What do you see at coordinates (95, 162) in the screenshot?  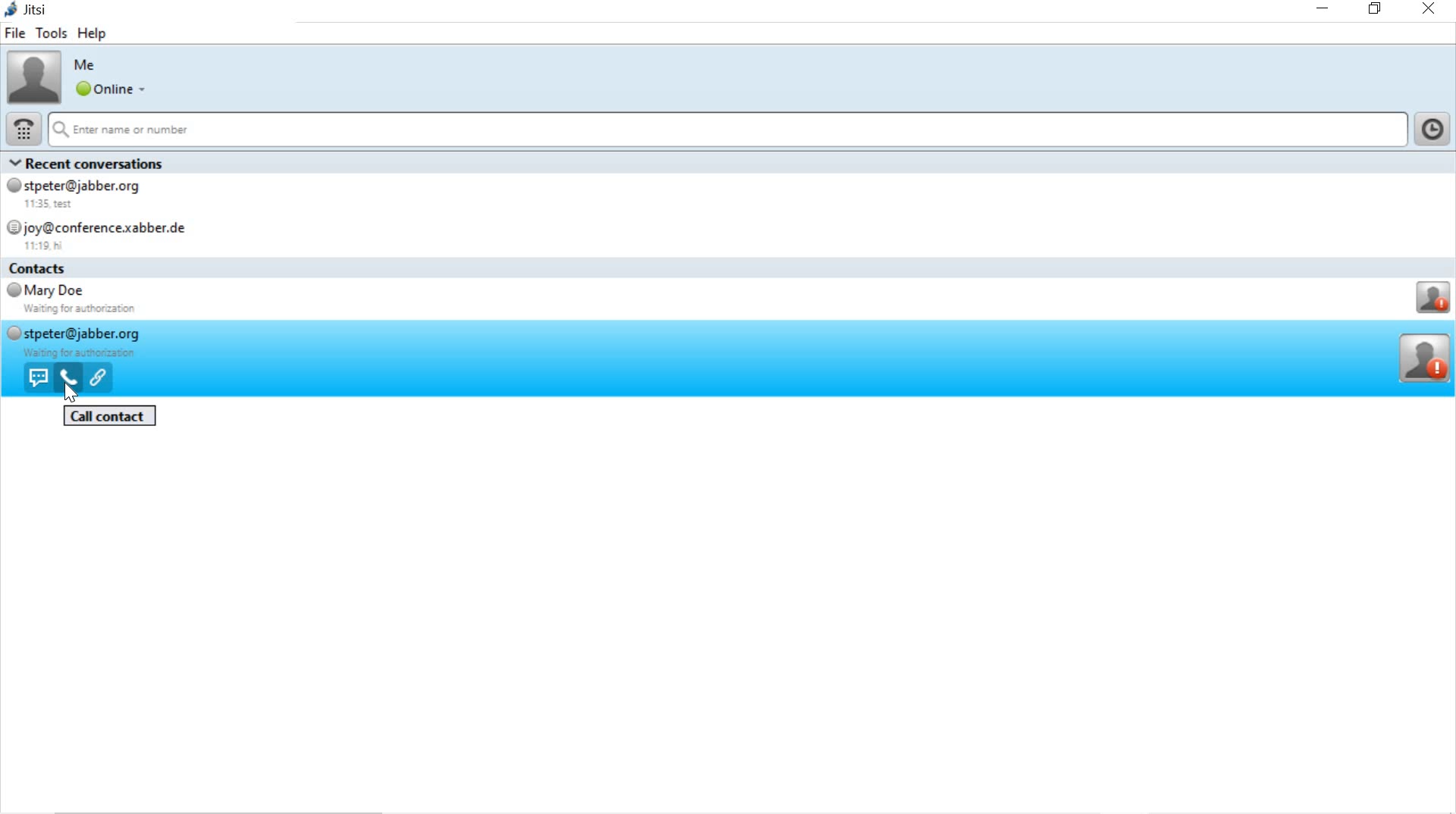 I see `Recent conversations` at bounding box center [95, 162].